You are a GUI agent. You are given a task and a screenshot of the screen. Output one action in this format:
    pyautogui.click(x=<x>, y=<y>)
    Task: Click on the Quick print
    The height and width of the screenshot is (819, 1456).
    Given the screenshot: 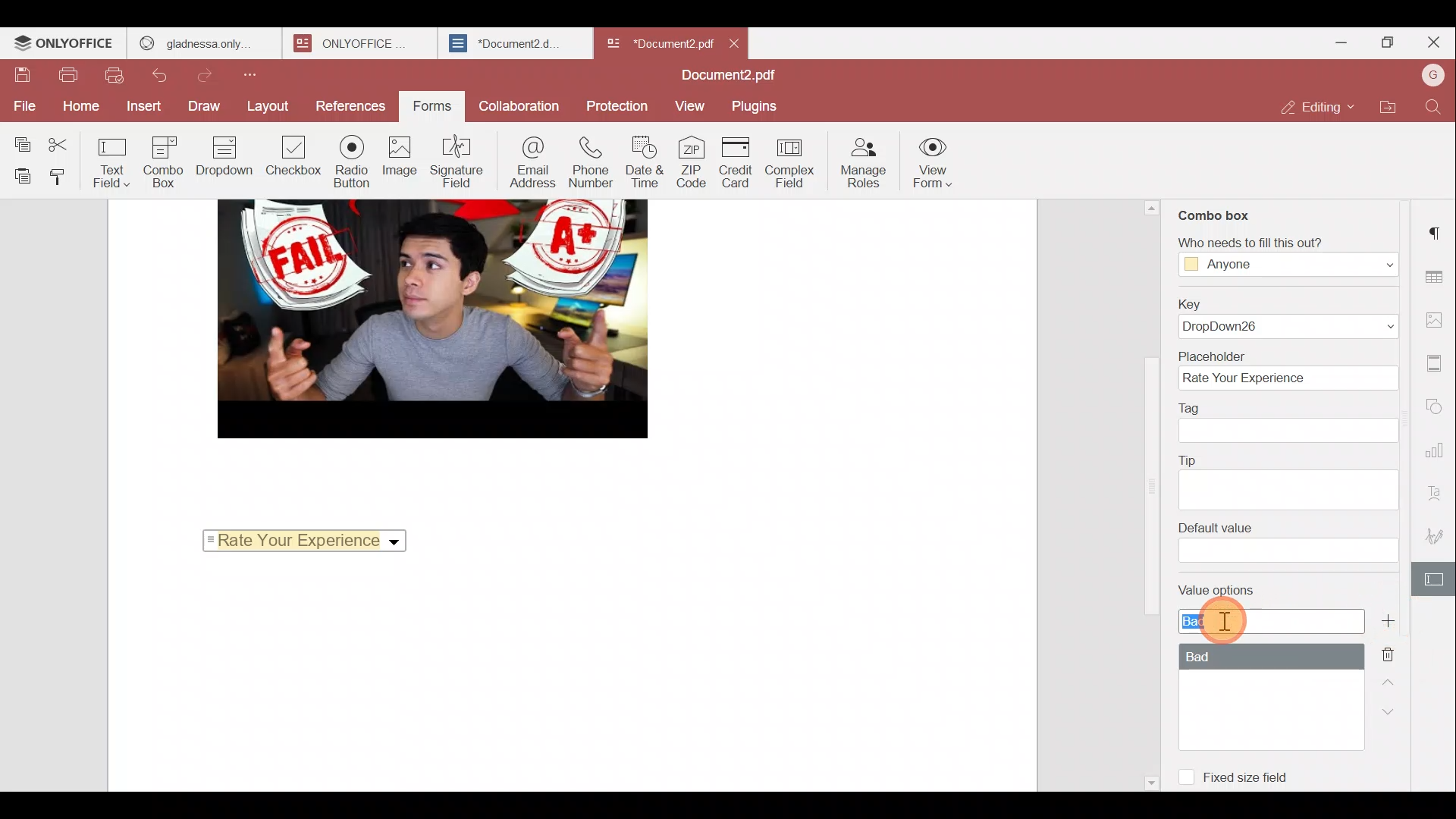 What is the action you would take?
    pyautogui.click(x=114, y=76)
    